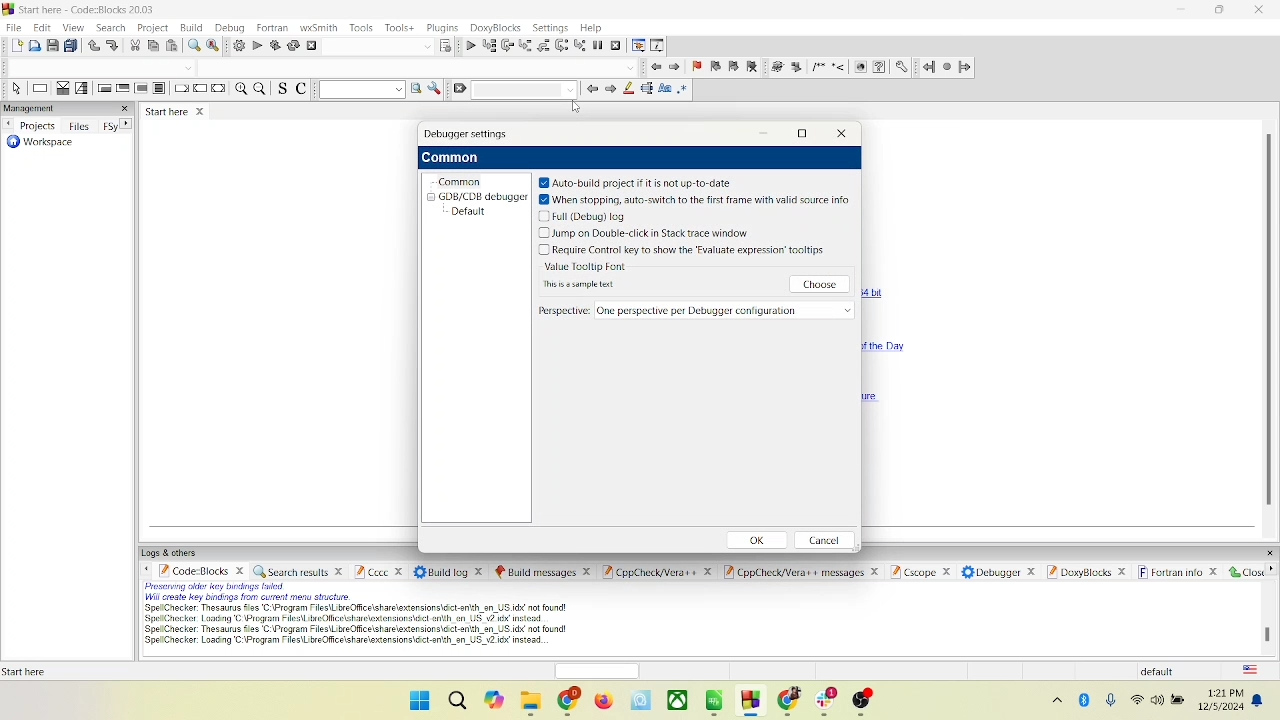 This screenshot has height=720, width=1280. I want to click on save, so click(54, 44).